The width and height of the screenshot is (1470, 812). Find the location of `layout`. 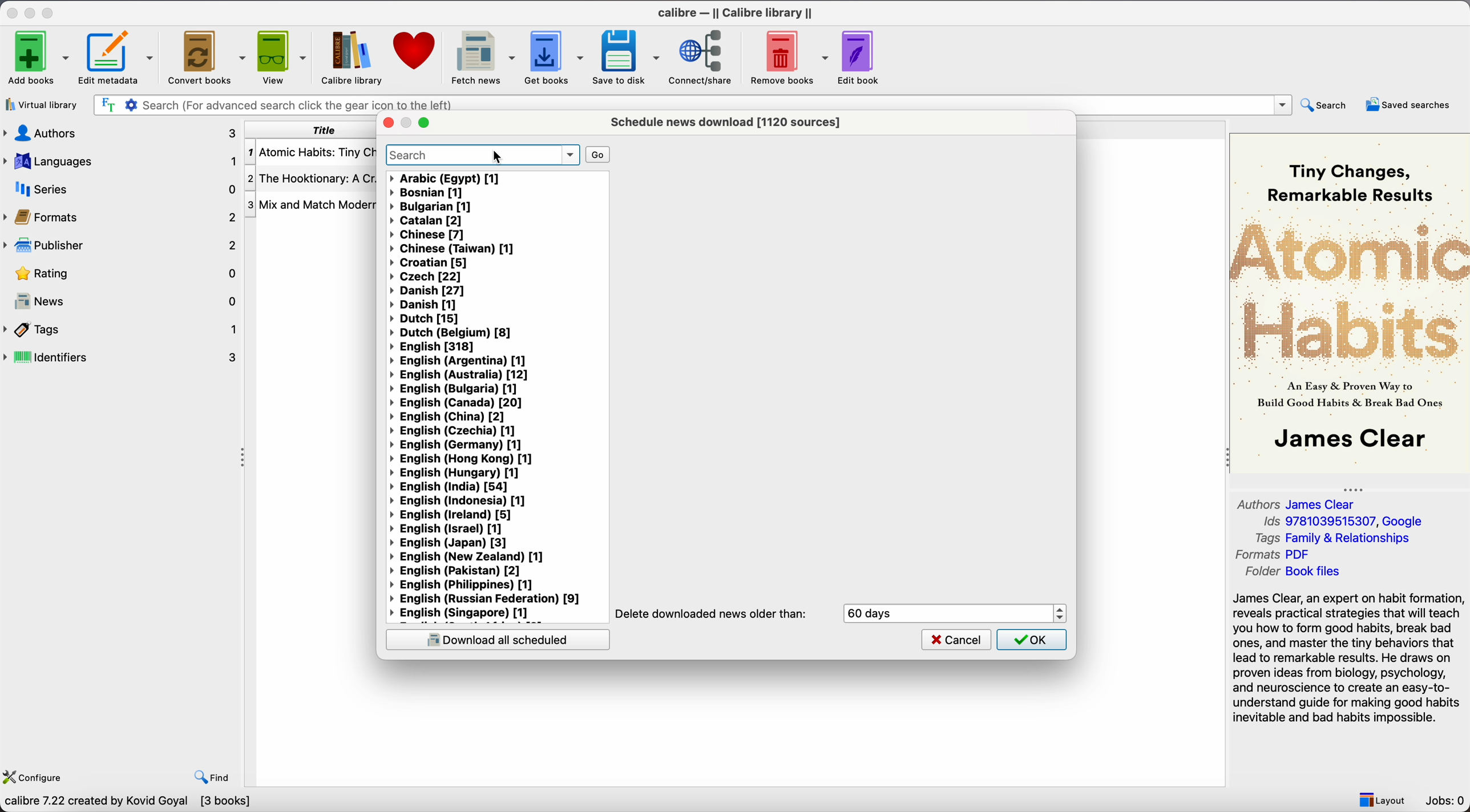

layout is located at coordinates (1381, 798).